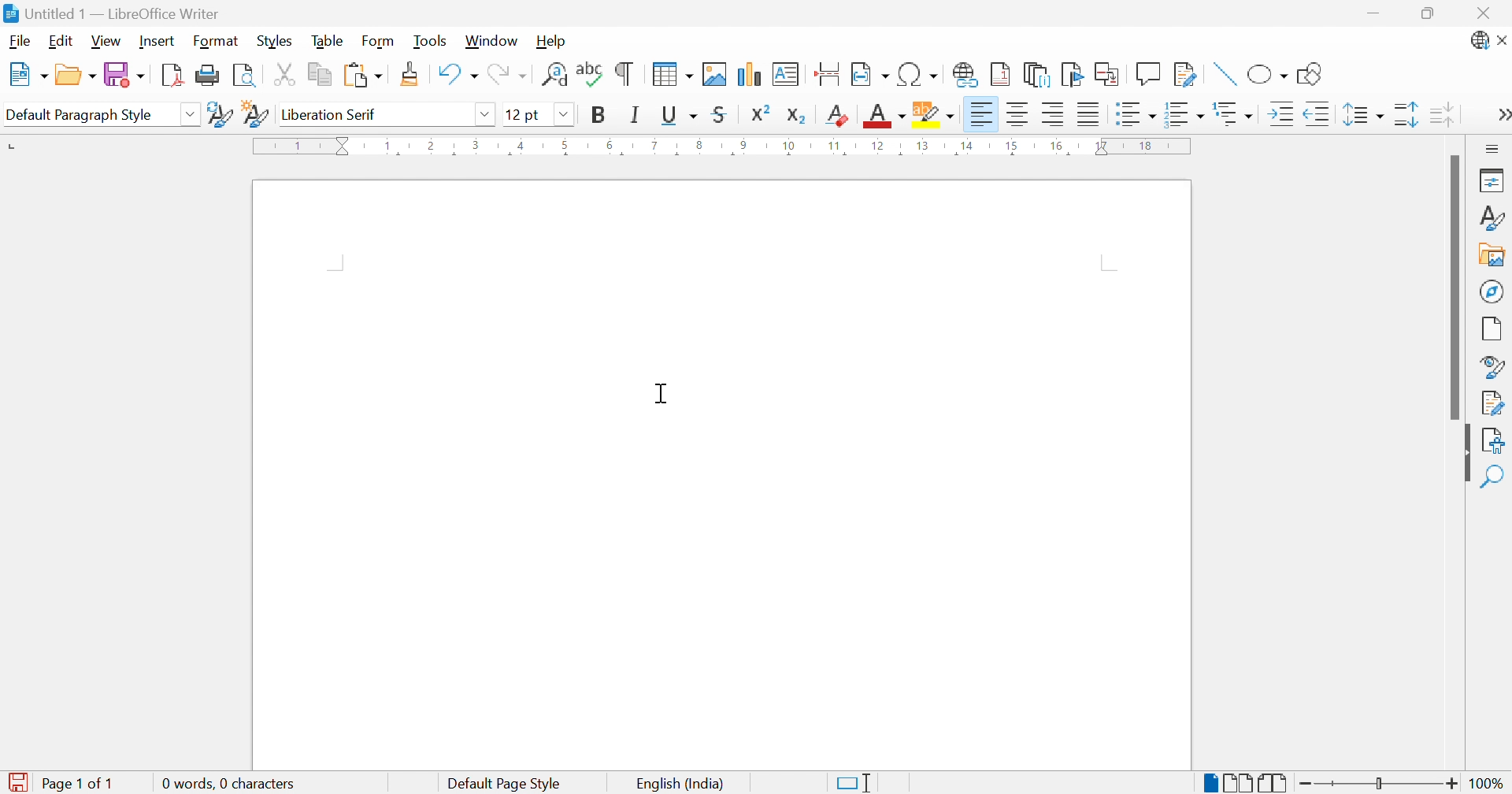  What do you see at coordinates (1451, 785) in the screenshot?
I see `Zoom in` at bounding box center [1451, 785].